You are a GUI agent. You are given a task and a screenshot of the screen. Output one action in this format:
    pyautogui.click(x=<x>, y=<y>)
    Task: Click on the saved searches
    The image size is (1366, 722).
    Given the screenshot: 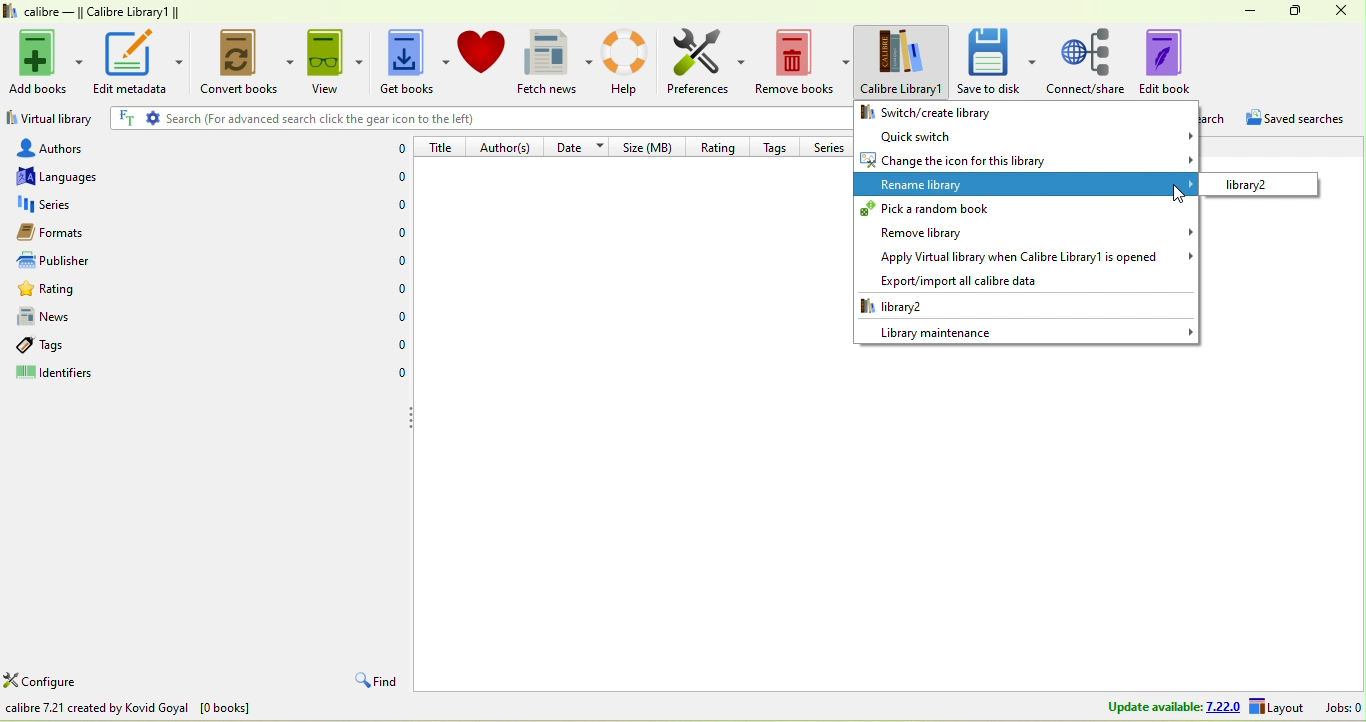 What is the action you would take?
    pyautogui.click(x=1303, y=121)
    